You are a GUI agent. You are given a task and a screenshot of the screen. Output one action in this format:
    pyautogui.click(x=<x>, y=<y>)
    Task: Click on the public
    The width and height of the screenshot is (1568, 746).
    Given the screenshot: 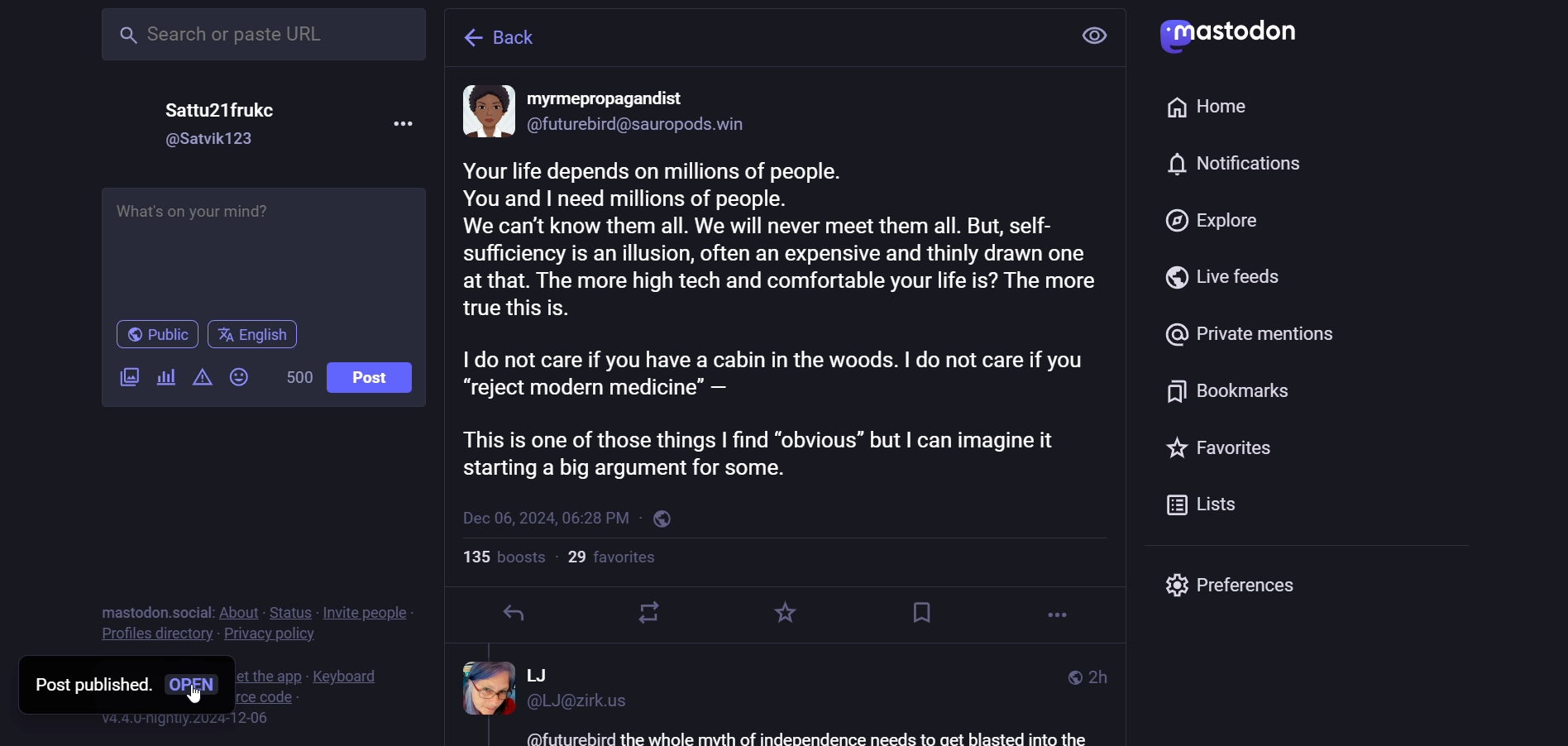 What is the action you would take?
    pyautogui.click(x=1073, y=677)
    